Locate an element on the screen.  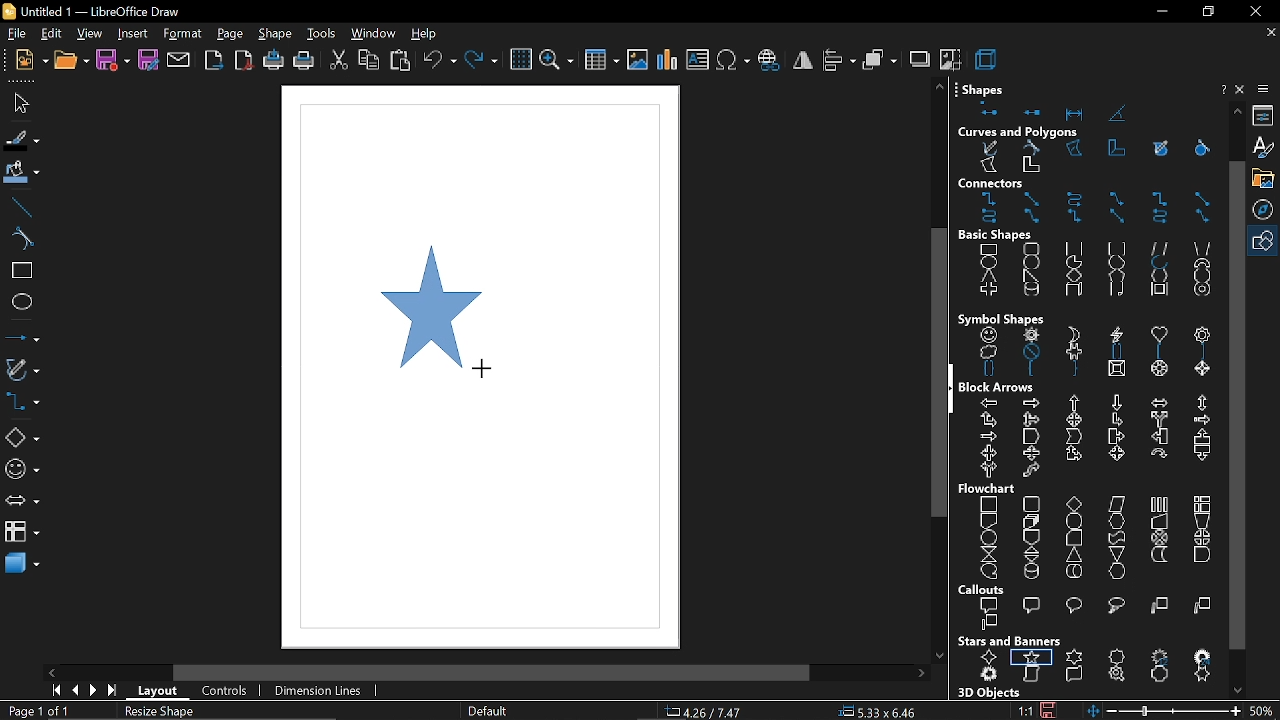
navigator is located at coordinates (1266, 209).